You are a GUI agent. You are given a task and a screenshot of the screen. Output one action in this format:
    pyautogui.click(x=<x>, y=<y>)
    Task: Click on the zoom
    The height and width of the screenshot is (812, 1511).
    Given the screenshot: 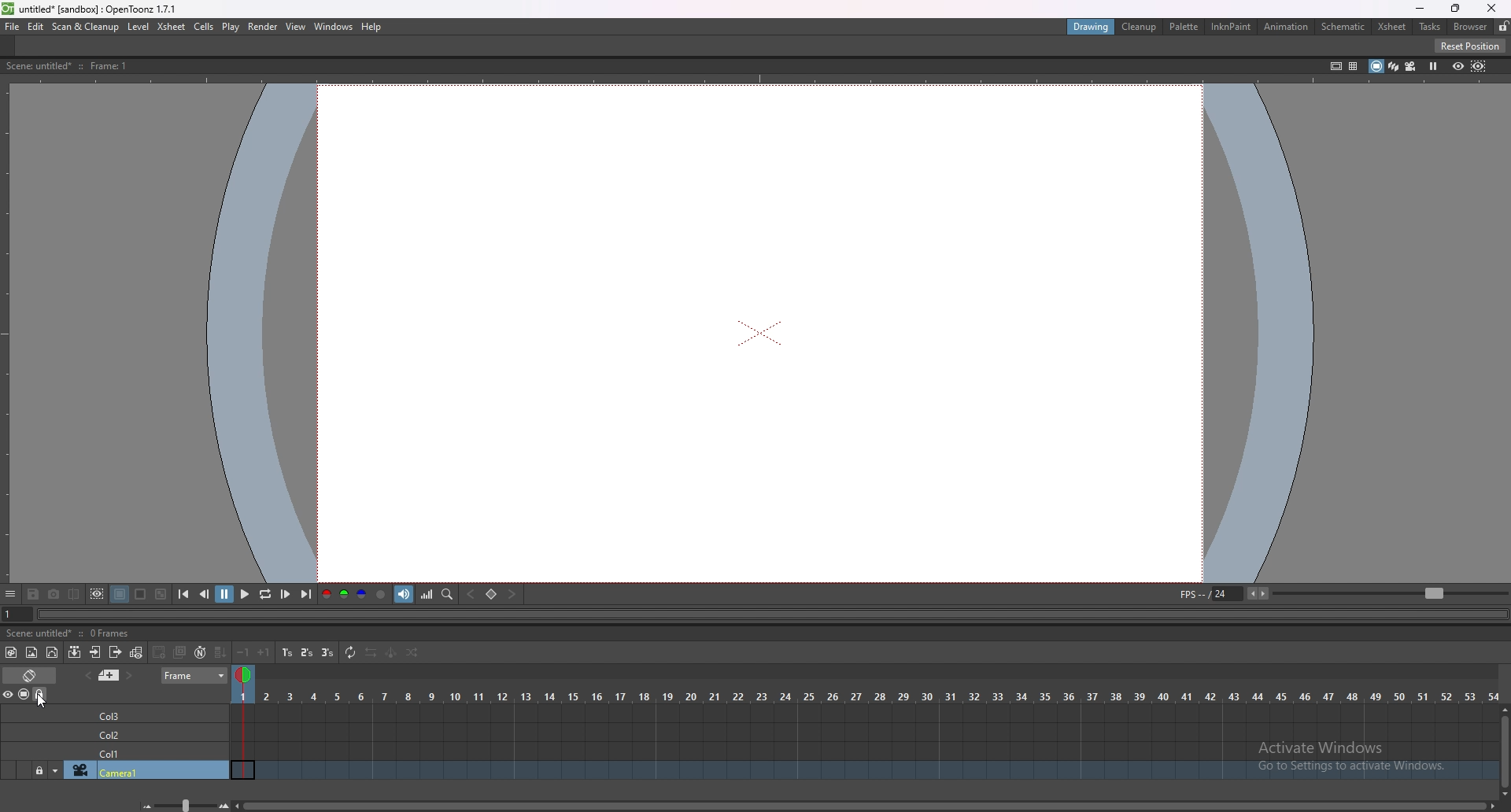 What is the action you would take?
    pyautogui.click(x=180, y=805)
    